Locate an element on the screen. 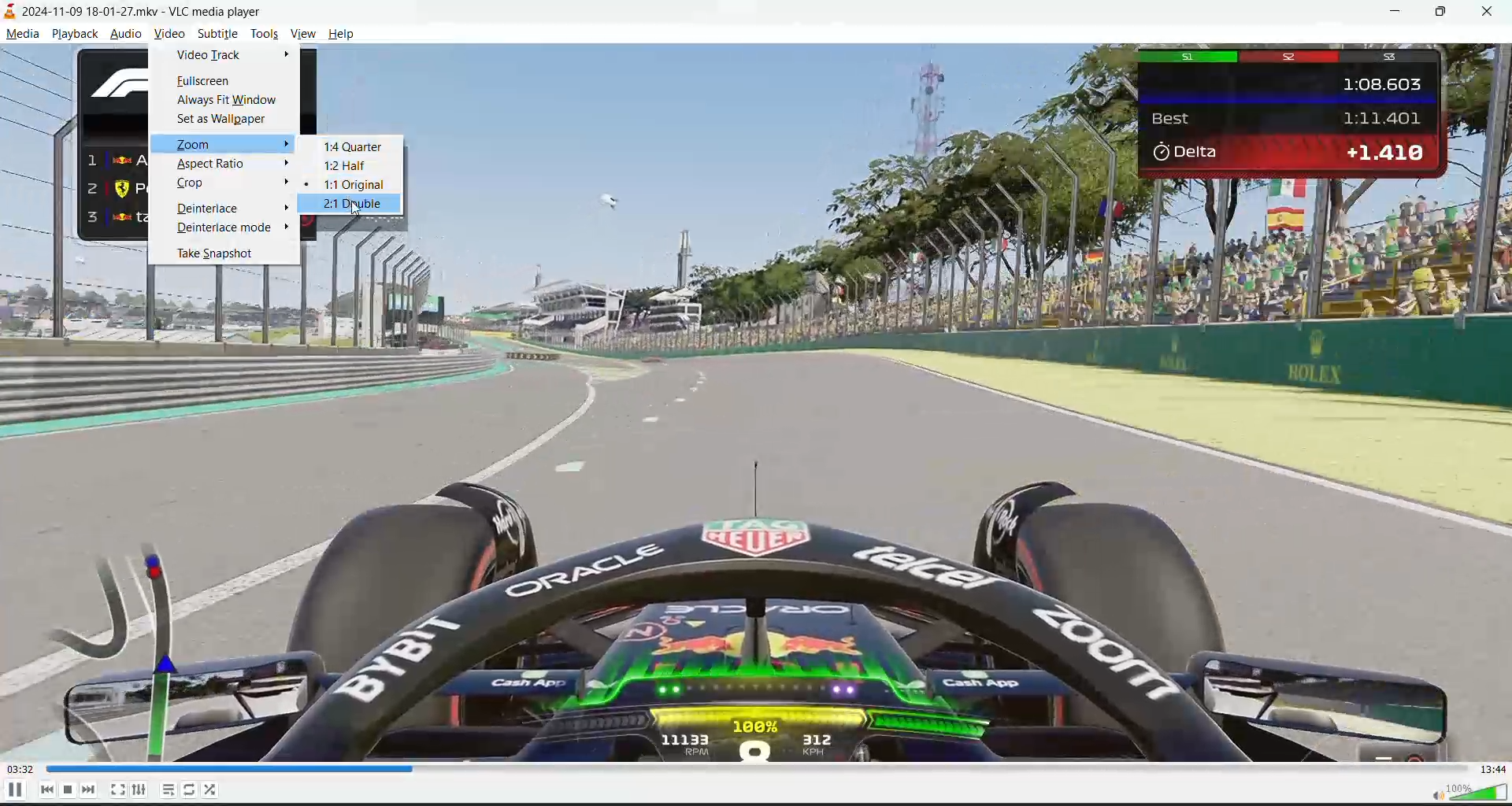 This screenshot has height=806, width=1512. tools is located at coordinates (265, 33).